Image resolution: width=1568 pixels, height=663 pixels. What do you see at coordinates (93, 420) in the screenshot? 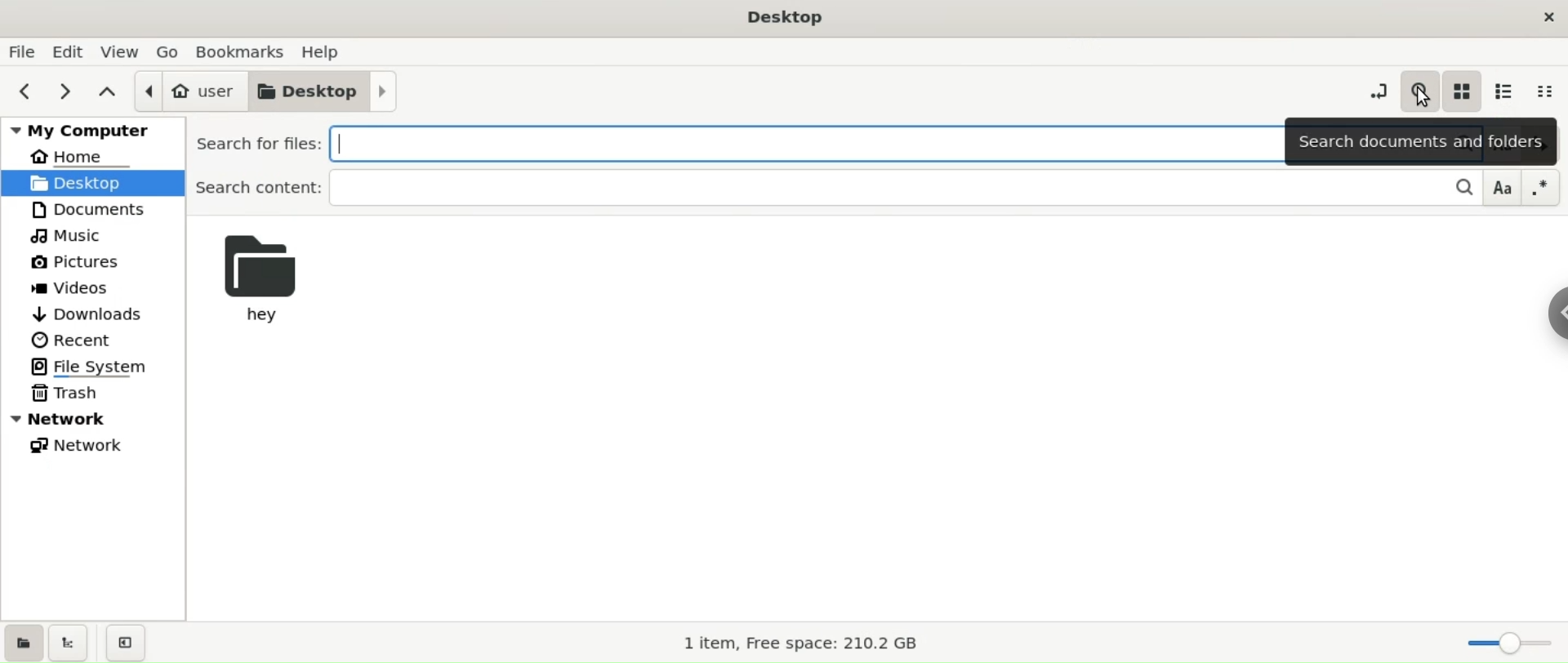
I see `network` at bounding box center [93, 420].